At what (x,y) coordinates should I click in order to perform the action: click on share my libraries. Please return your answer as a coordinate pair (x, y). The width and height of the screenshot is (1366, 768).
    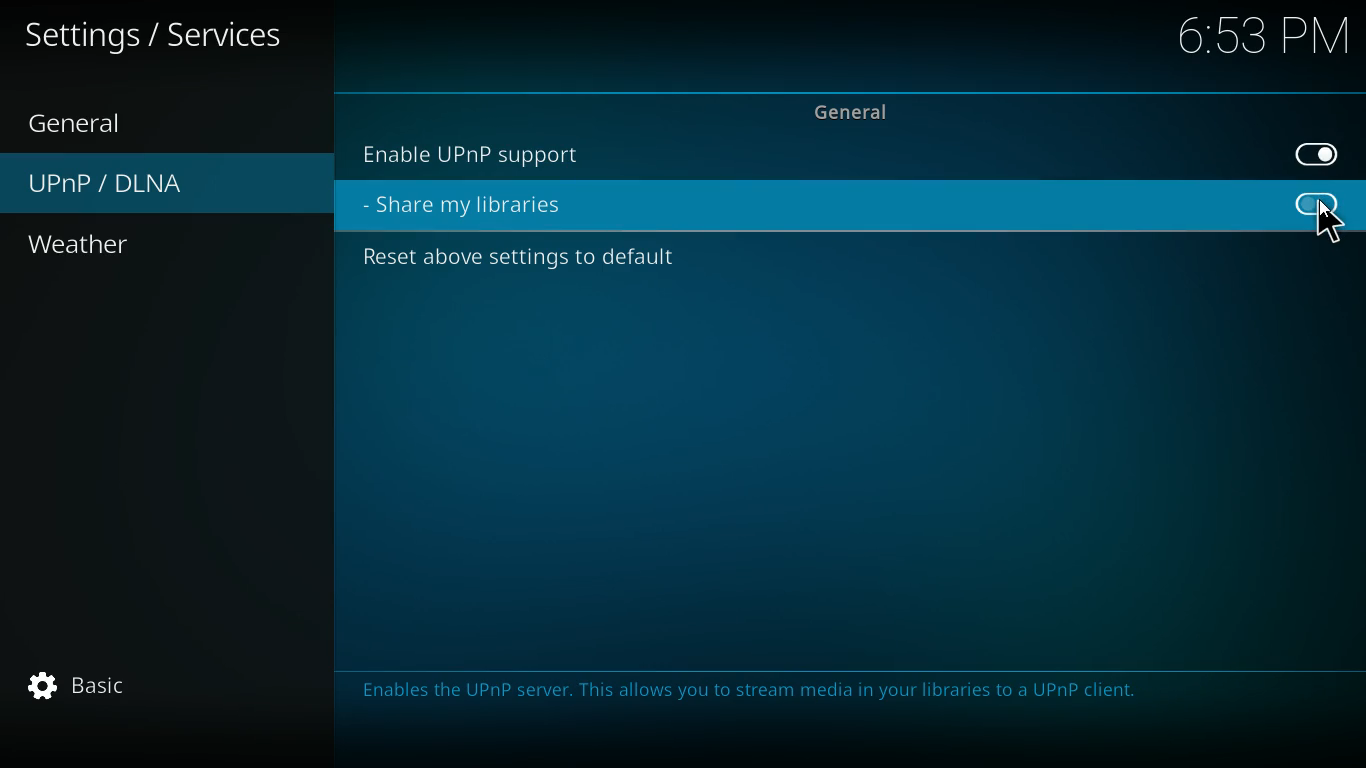
    Looking at the image, I should click on (485, 206).